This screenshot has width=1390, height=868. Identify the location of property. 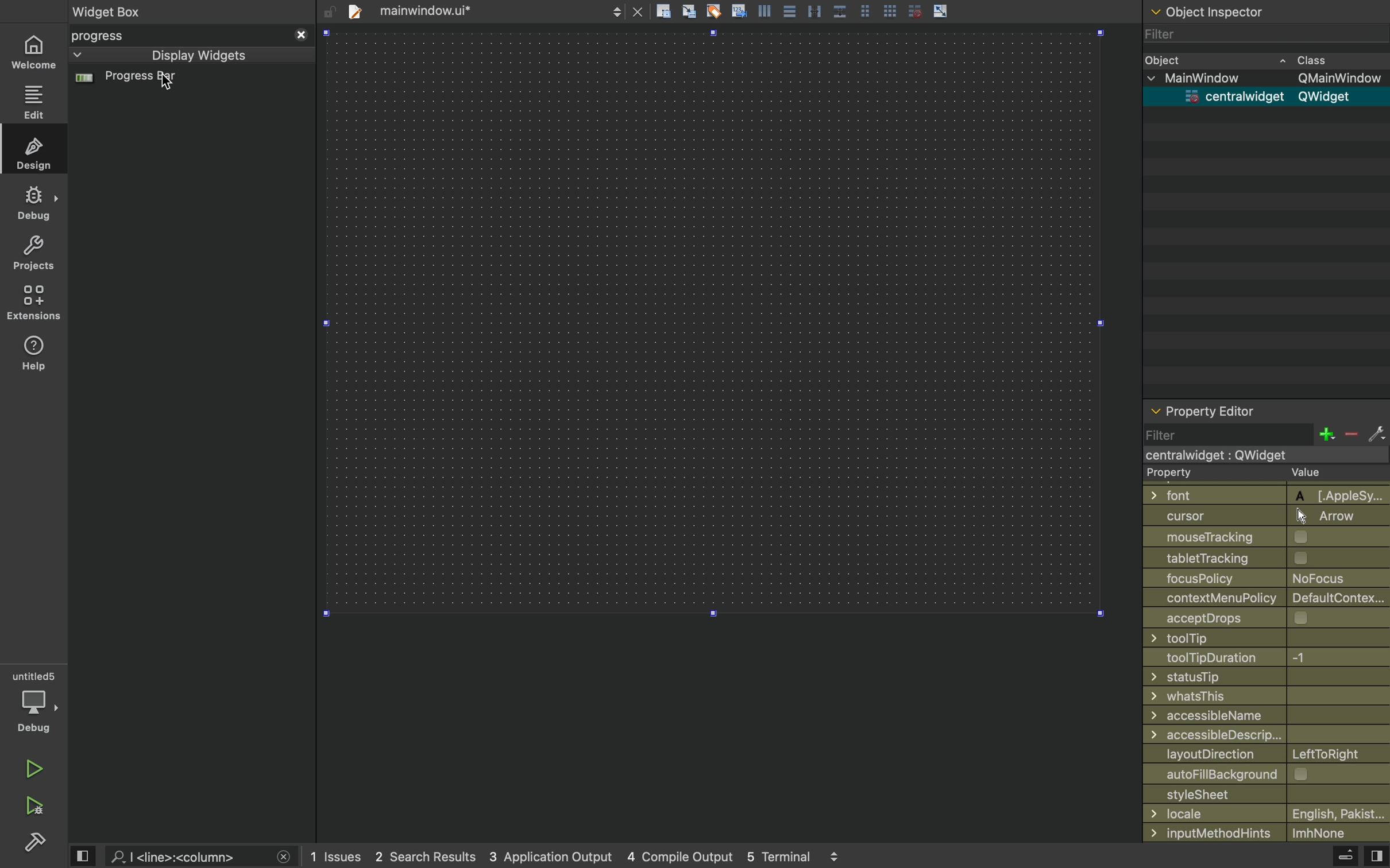
(1256, 474).